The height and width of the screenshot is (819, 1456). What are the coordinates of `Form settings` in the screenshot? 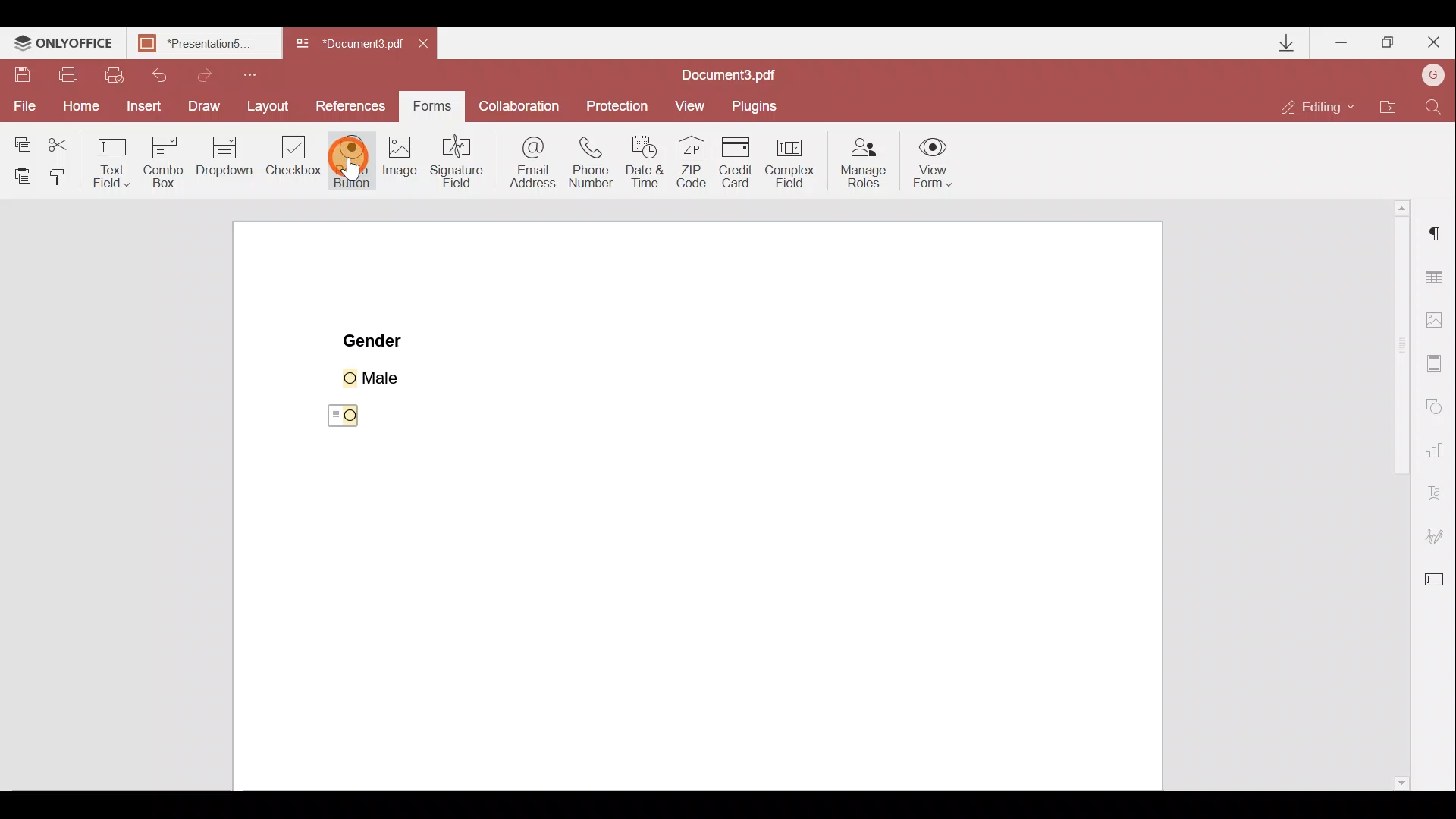 It's located at (1438, 583).